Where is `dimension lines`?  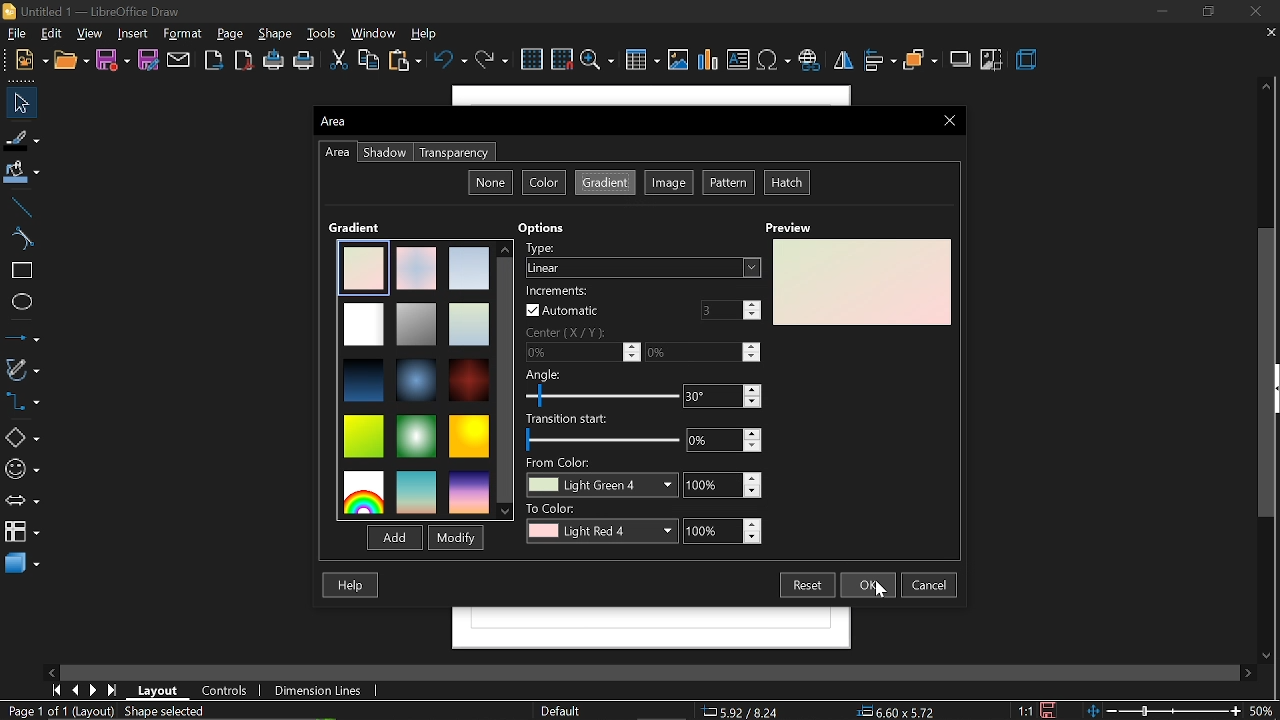
dimension lines is located at coordinates (318, 690).